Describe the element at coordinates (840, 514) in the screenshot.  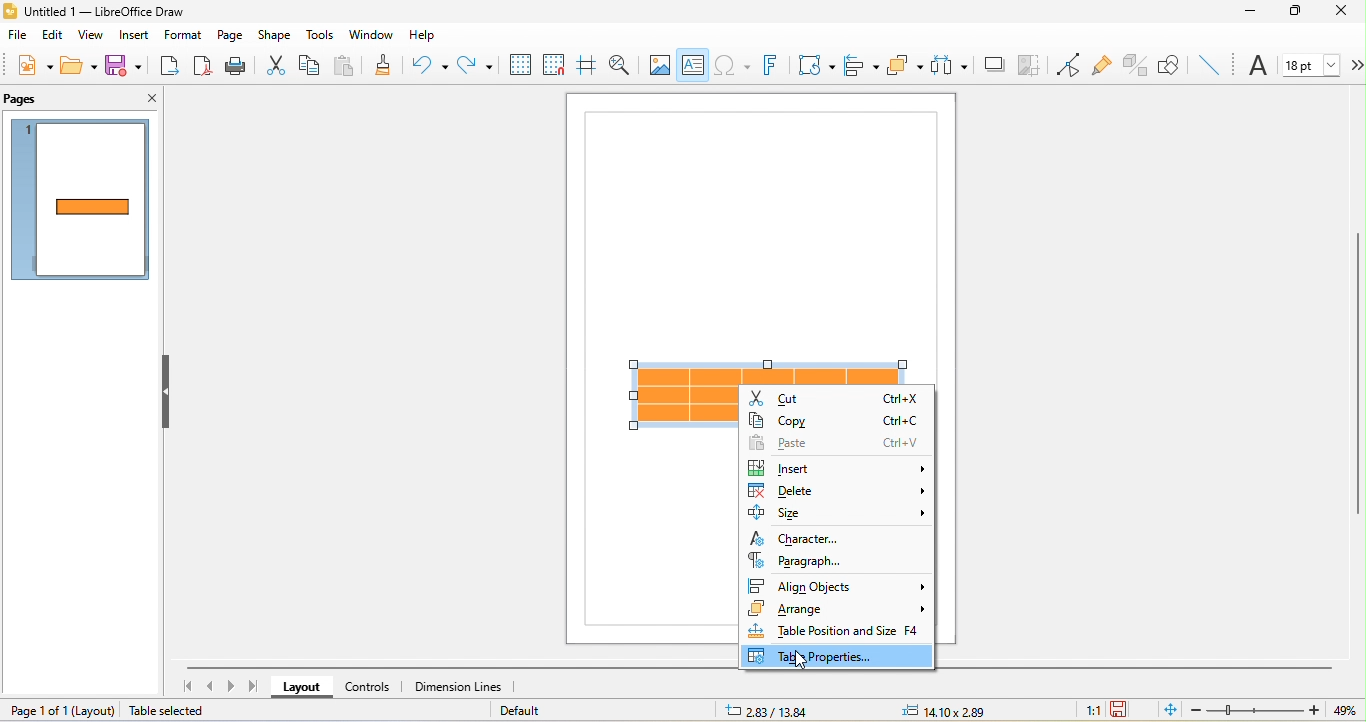
I see `size` at that location.